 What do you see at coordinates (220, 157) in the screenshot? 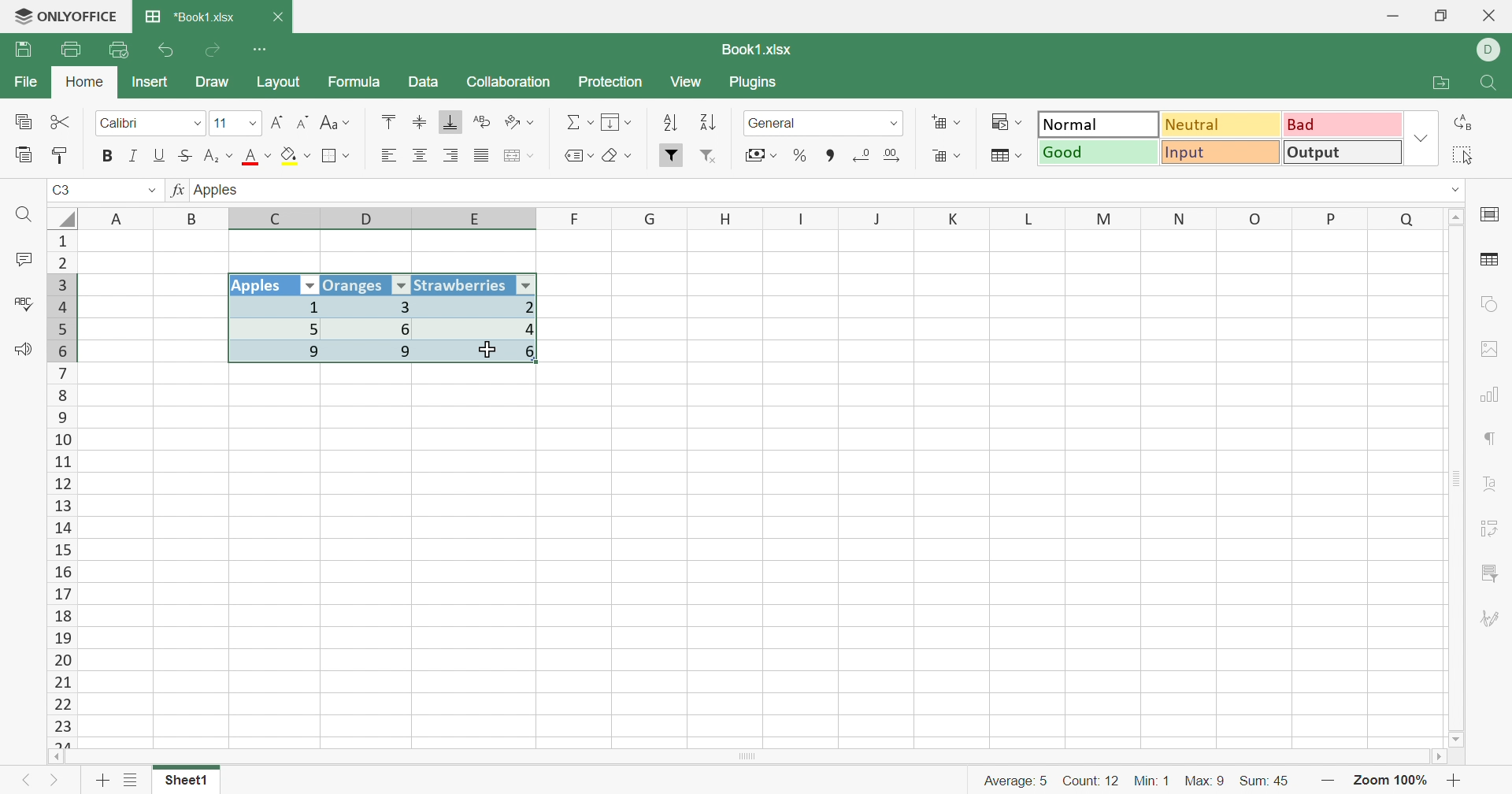
I see `Superscript / subscript` at bounding box center [220, 157].